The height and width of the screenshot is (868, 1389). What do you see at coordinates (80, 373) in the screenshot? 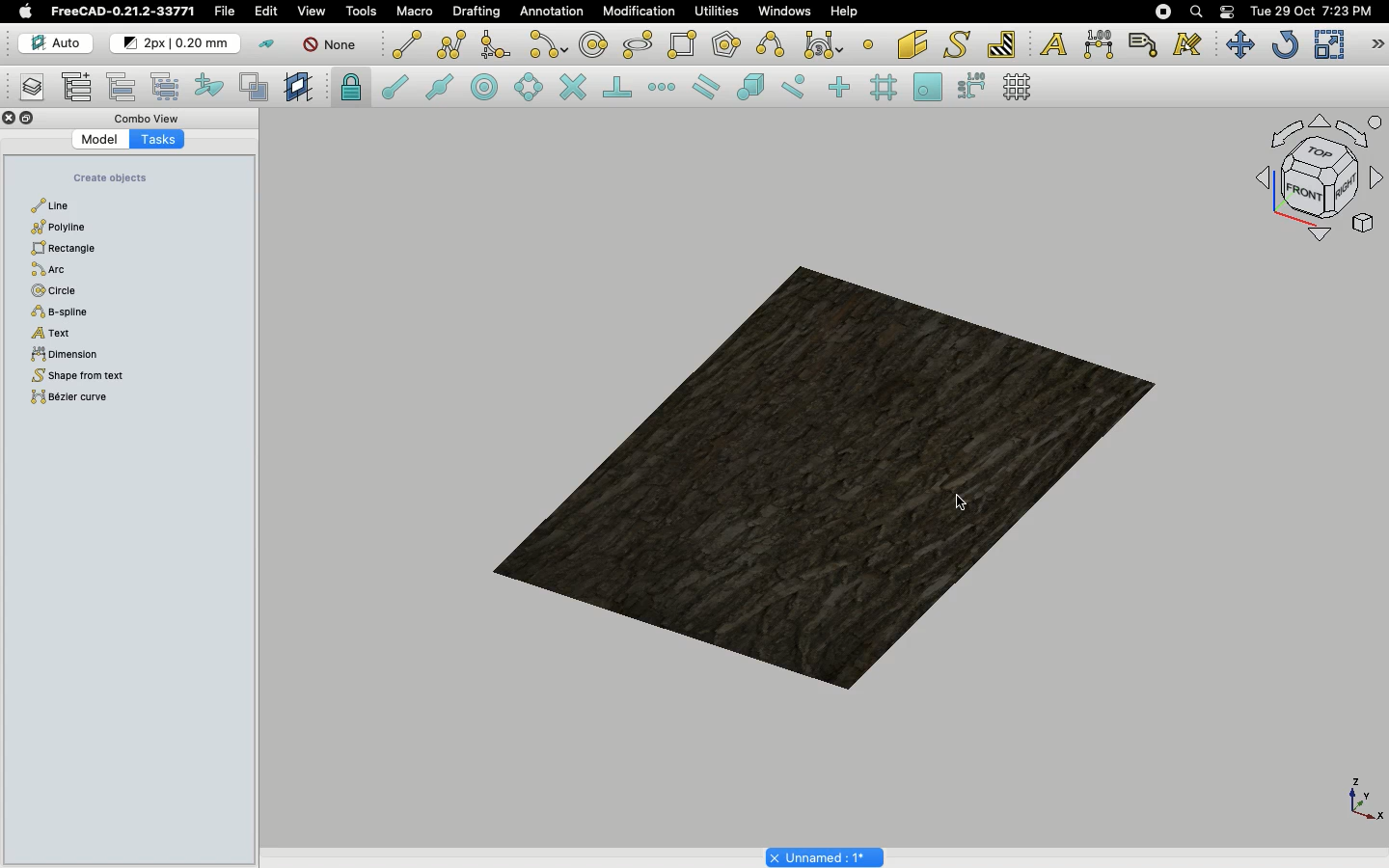
I see `Shape from text` at bounding box center [80, 373].